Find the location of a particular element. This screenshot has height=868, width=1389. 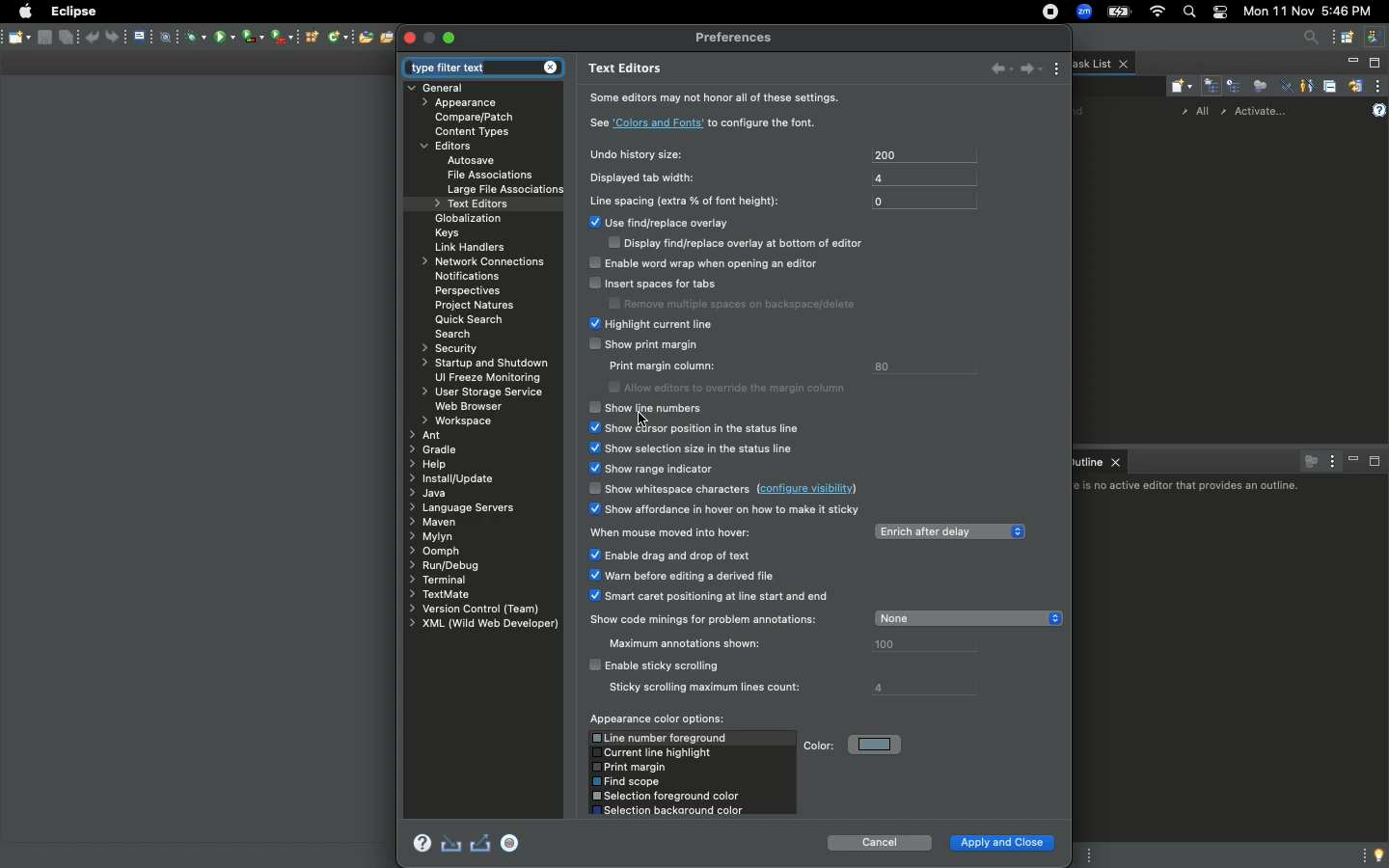

Preferences is located at coordinates (738, 40).